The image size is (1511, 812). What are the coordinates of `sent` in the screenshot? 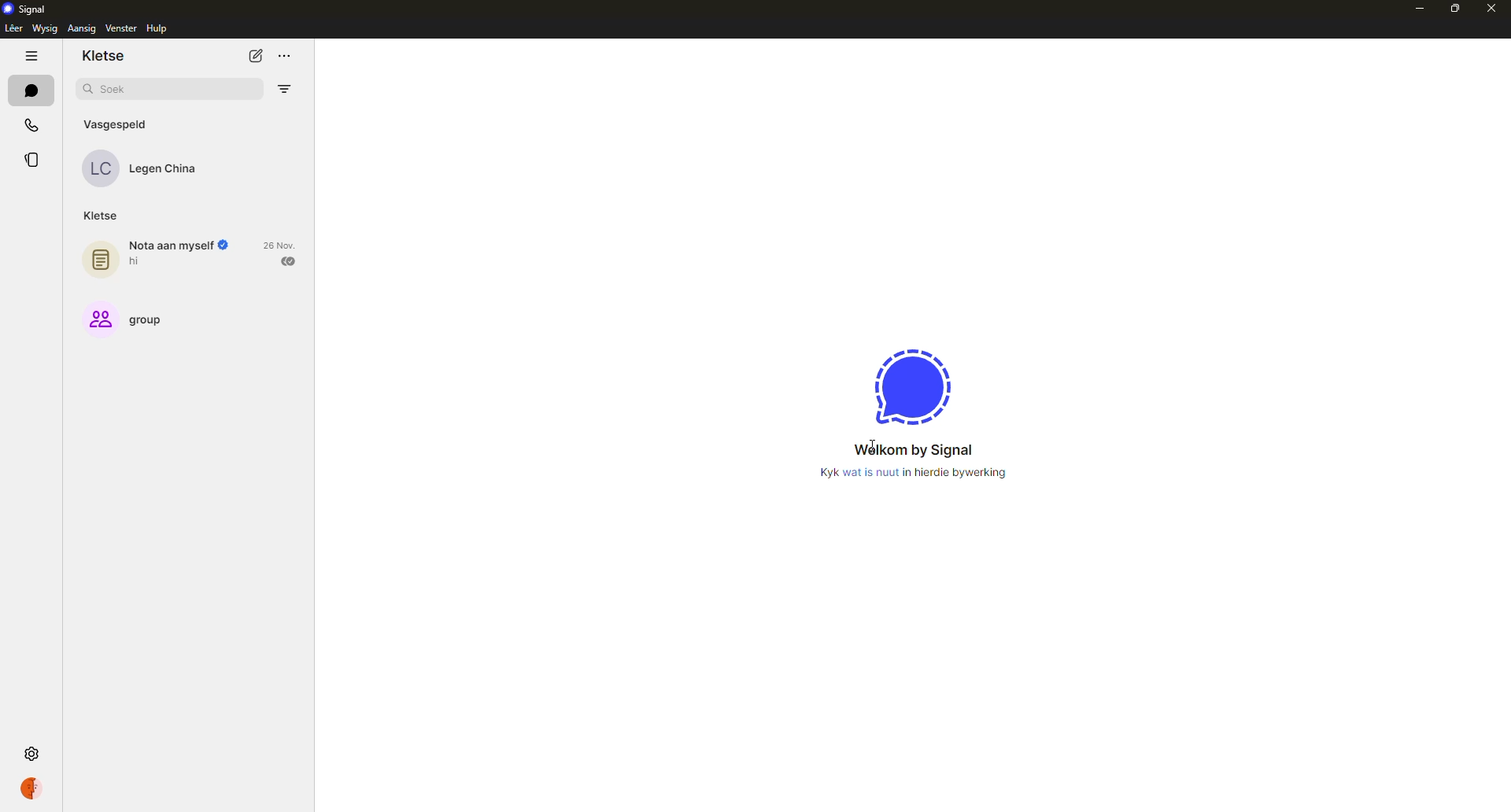 It's located at (289, 261).